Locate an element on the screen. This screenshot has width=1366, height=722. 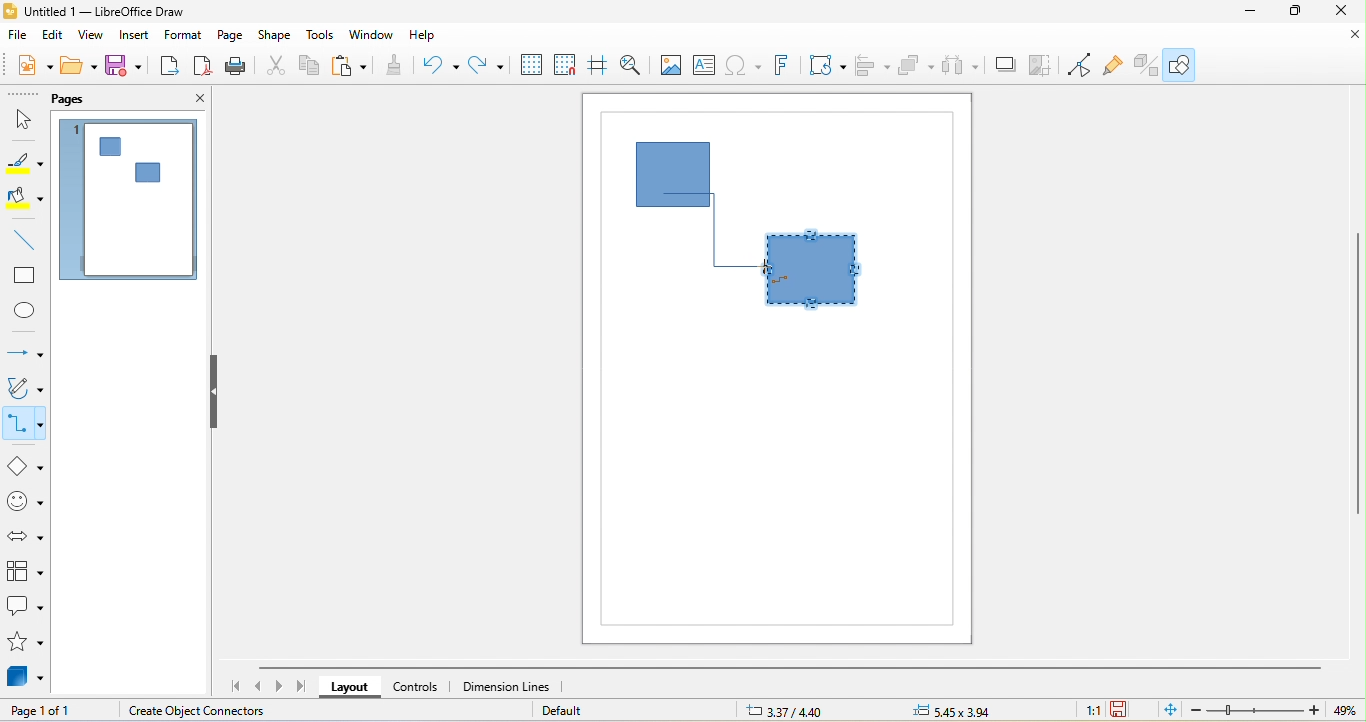
block arrow is located at coordinates (27, 537).